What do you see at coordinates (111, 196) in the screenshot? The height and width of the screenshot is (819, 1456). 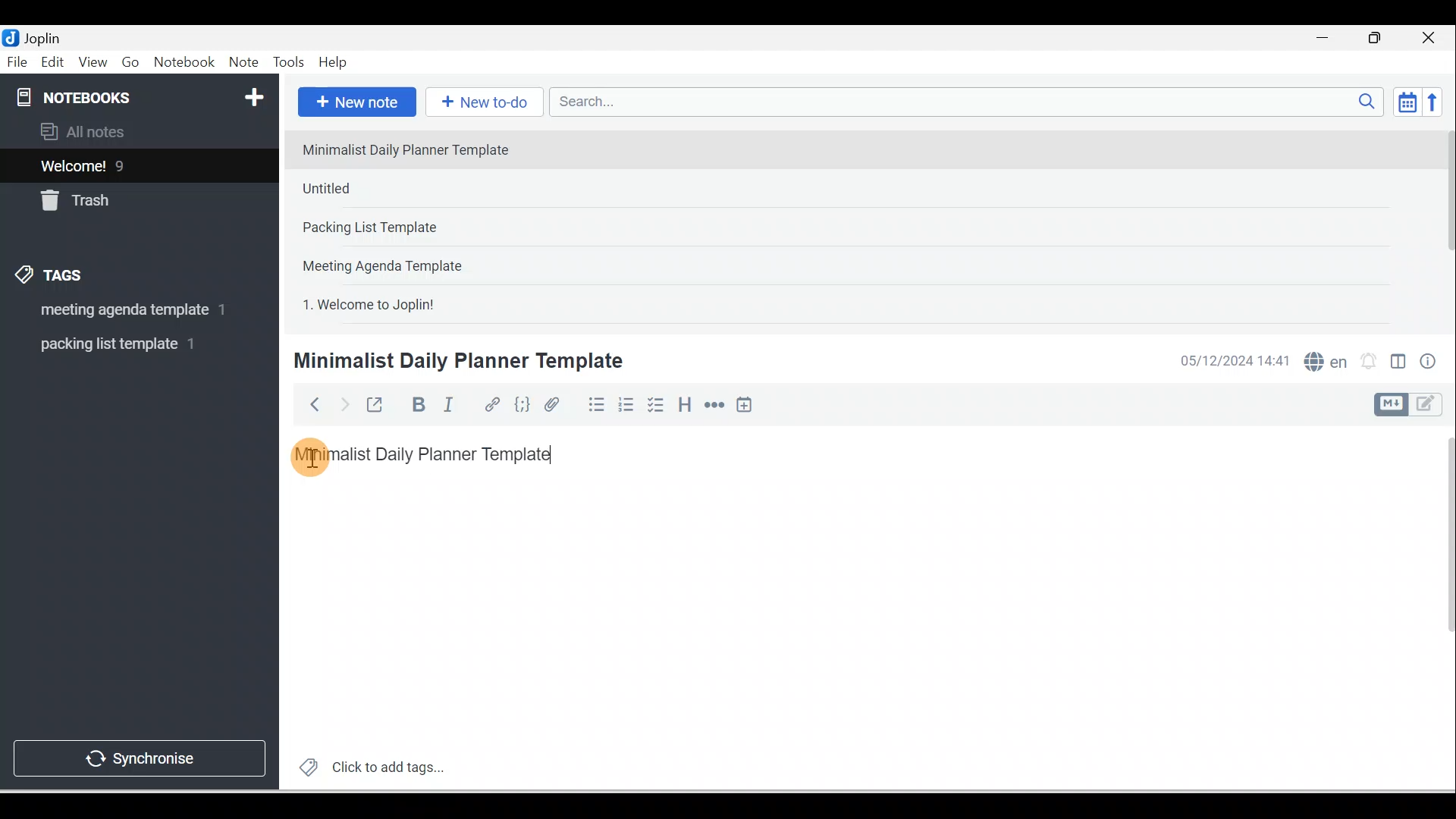 I see `Trash` at bounding box center [111, 196].